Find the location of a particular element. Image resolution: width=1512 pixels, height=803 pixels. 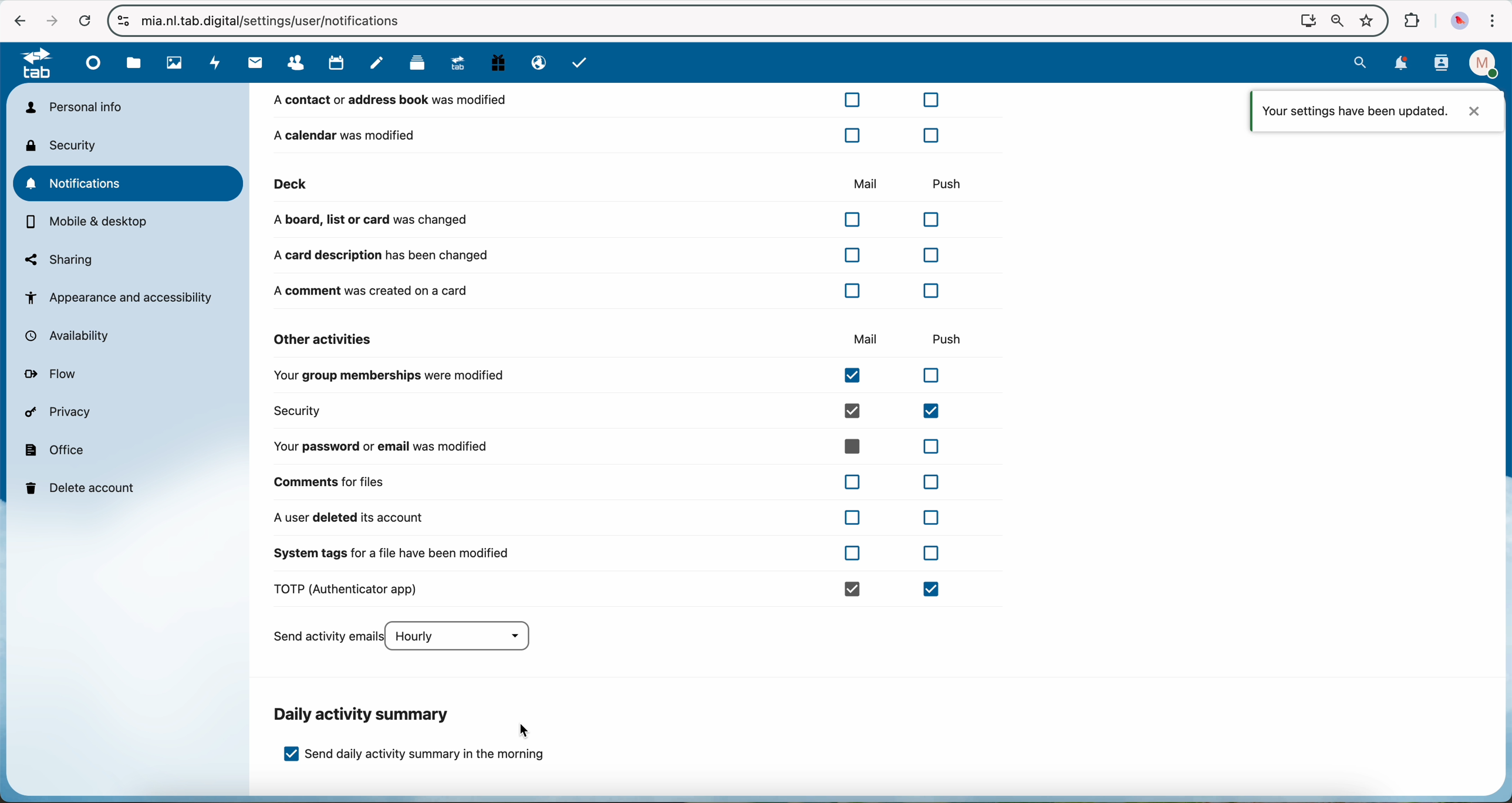

navigate foward is located at coordinates (48, 19).